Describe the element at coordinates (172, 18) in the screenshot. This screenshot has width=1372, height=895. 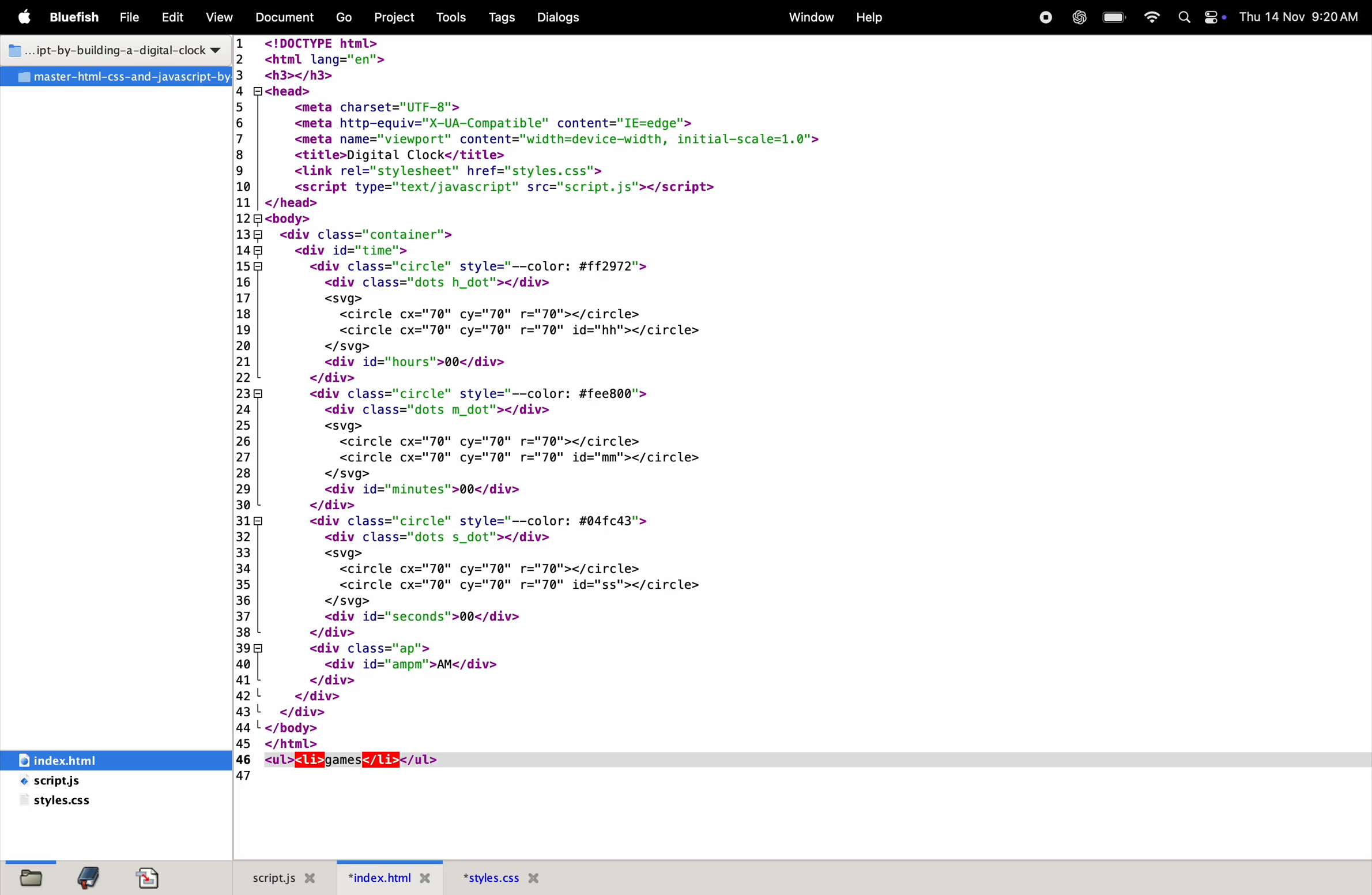
I see `Edit` at that location.